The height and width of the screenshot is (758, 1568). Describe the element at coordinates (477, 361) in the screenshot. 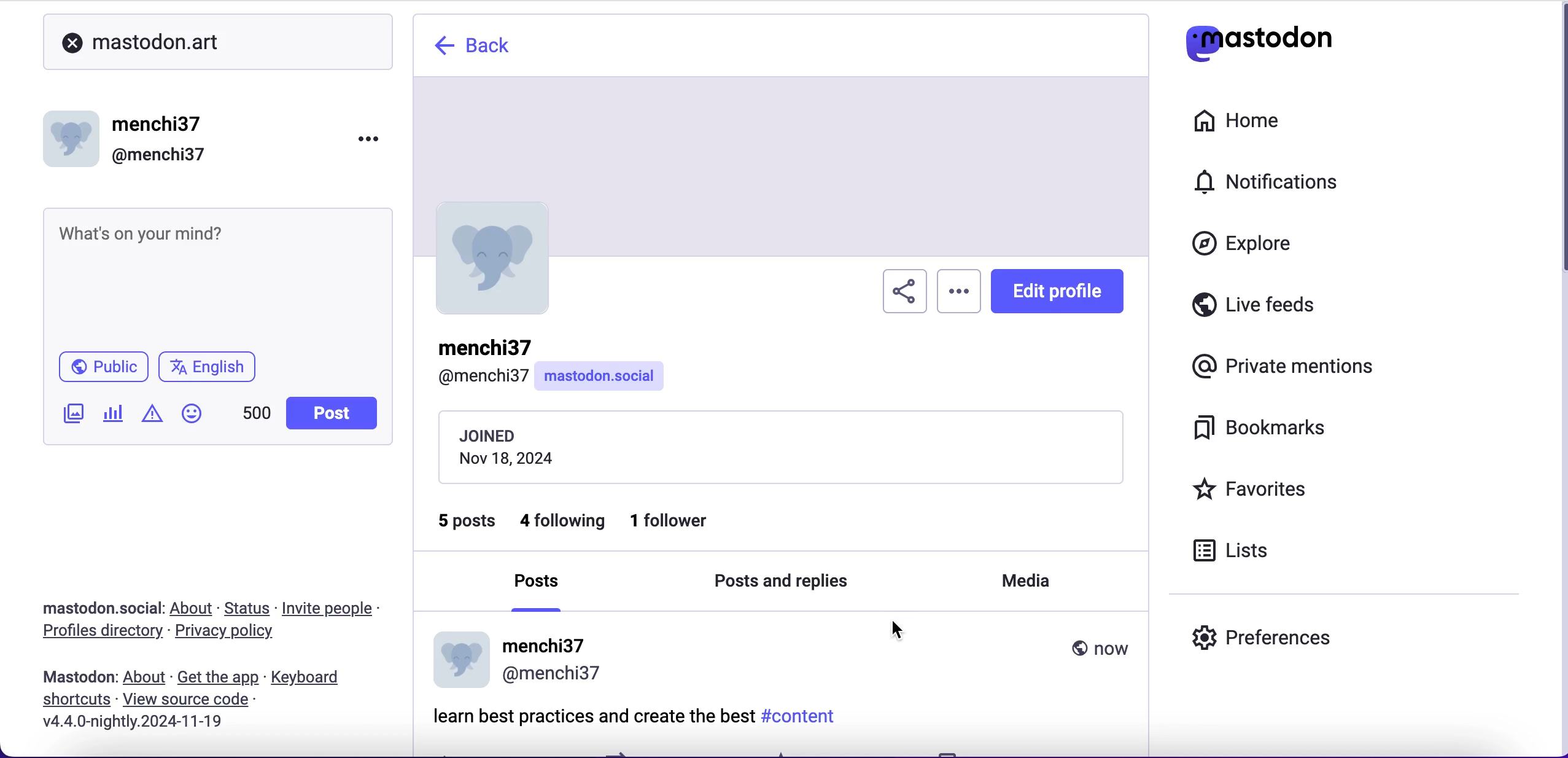

I see `user` at that location.